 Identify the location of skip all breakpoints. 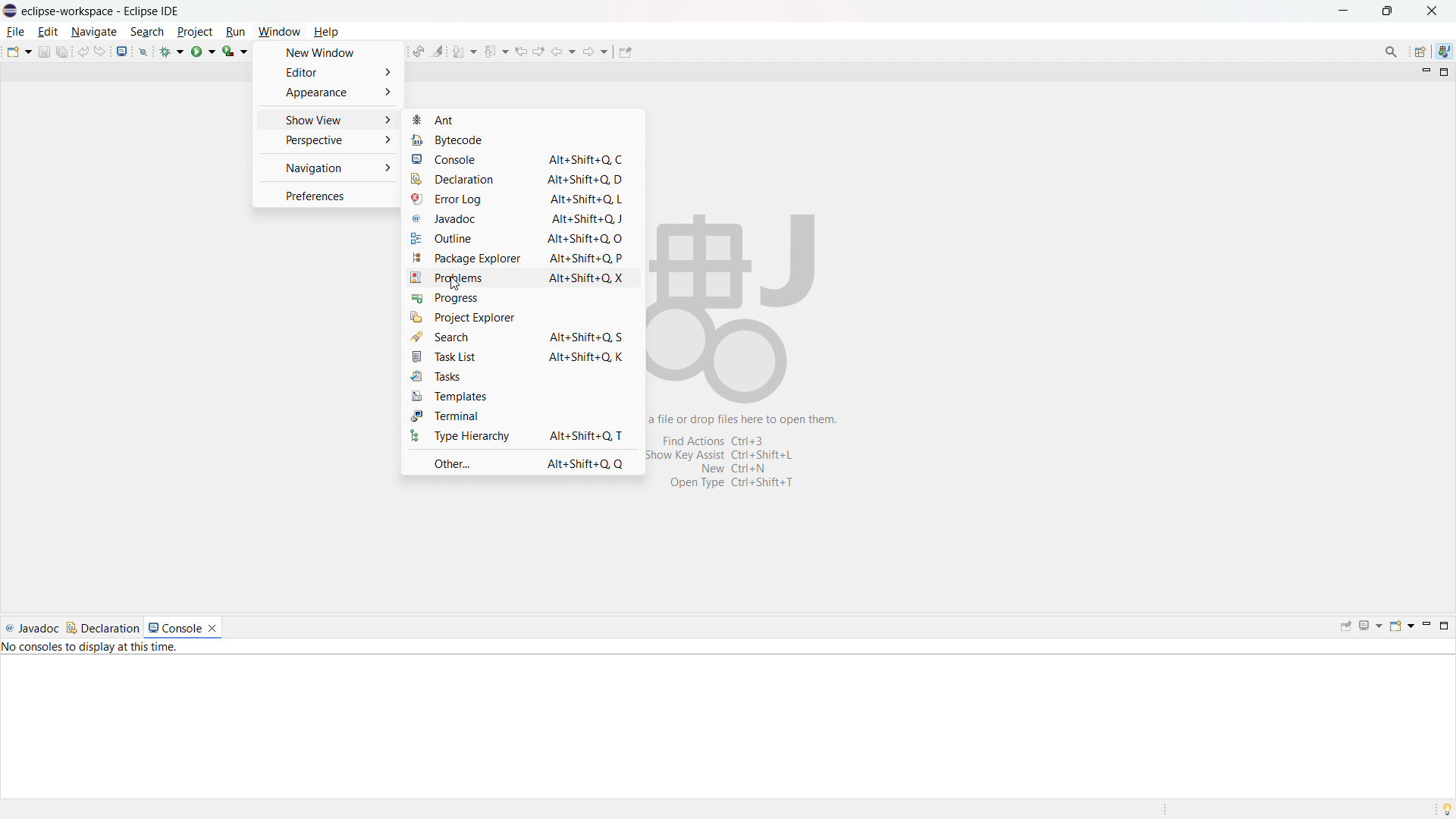
(143, 52).